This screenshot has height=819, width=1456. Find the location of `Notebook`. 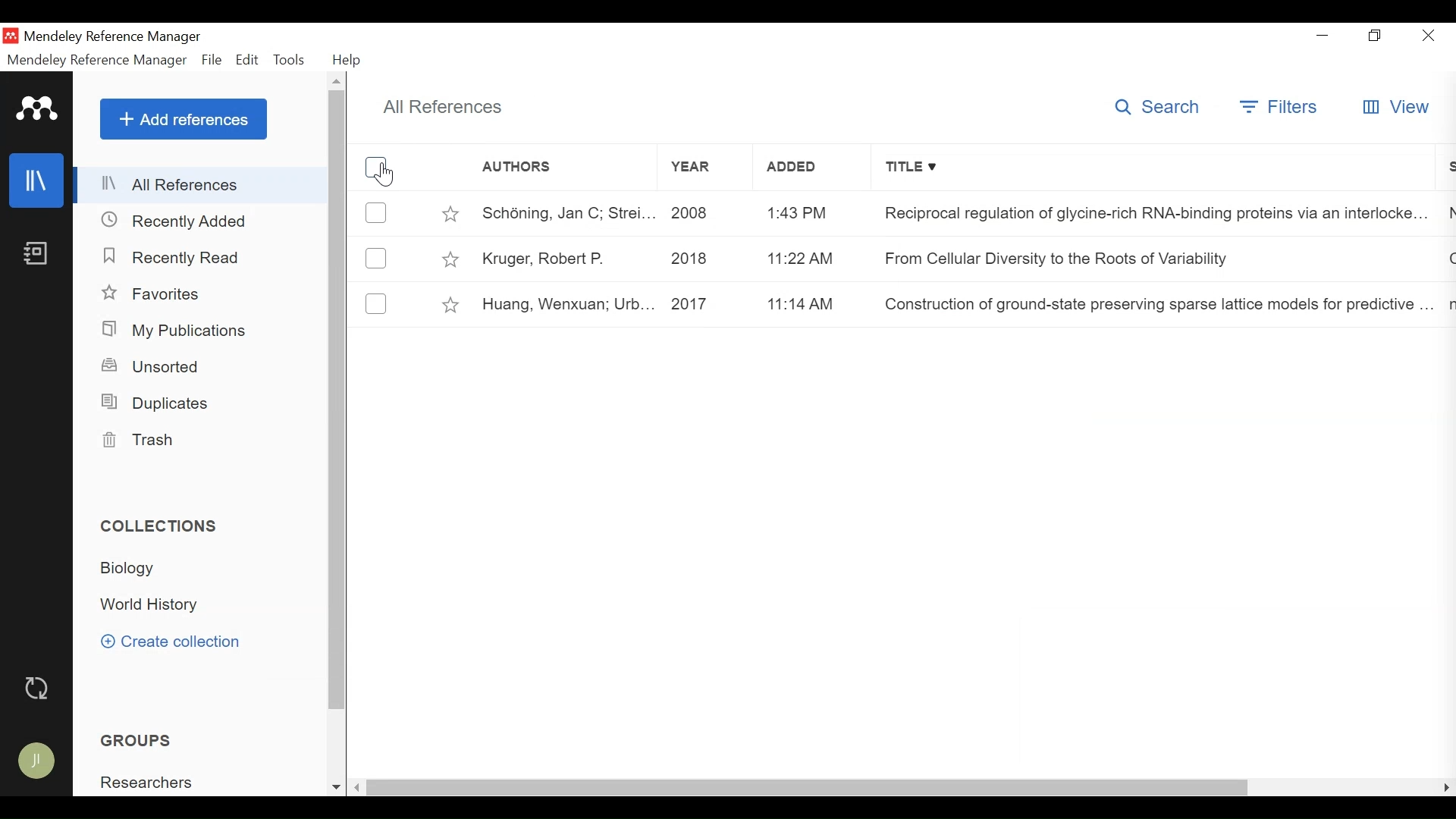

Notebook is located at coordinates (36, 255).